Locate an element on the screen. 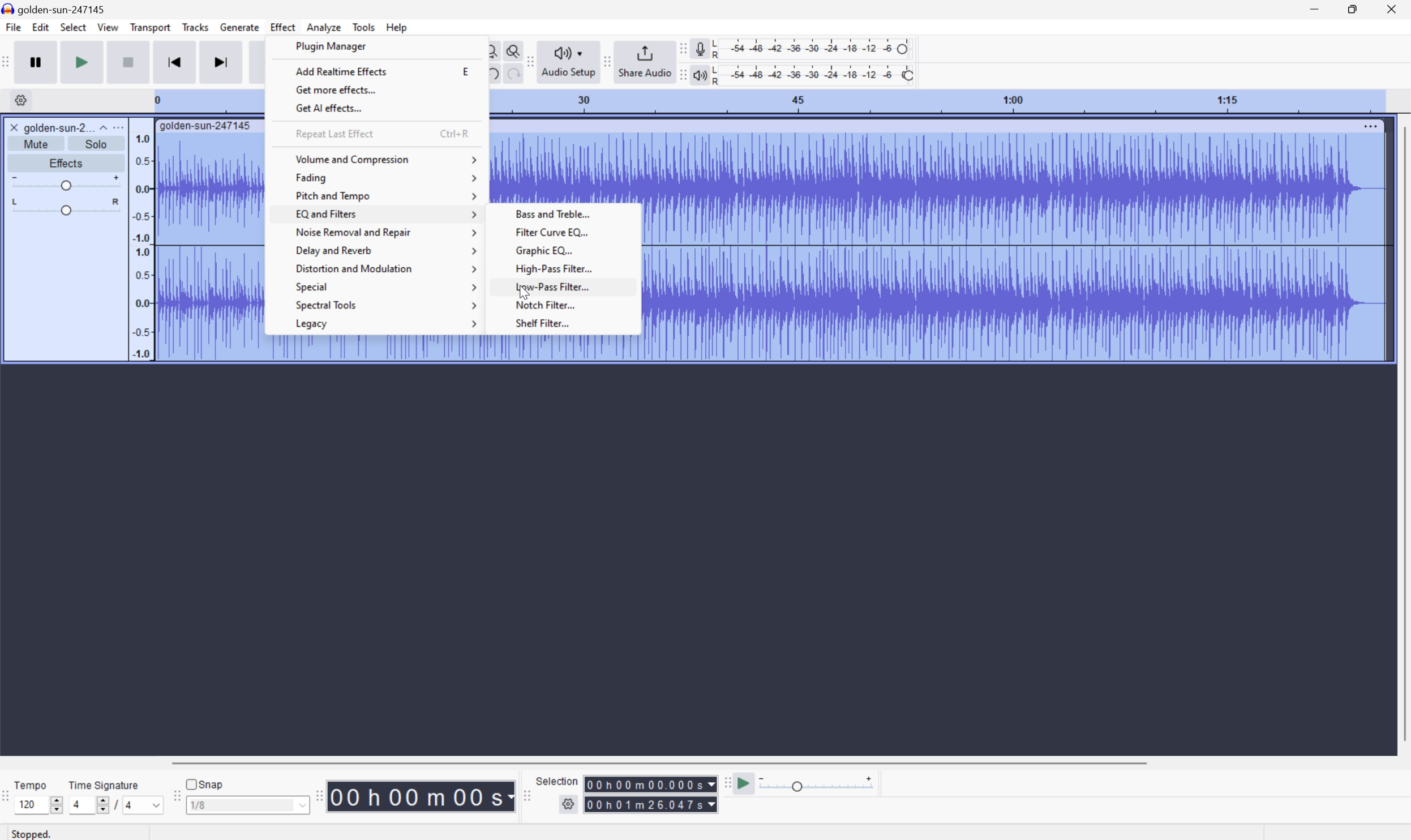 The image size is (1411, 840). Selection is located at coordinates (559, 781).